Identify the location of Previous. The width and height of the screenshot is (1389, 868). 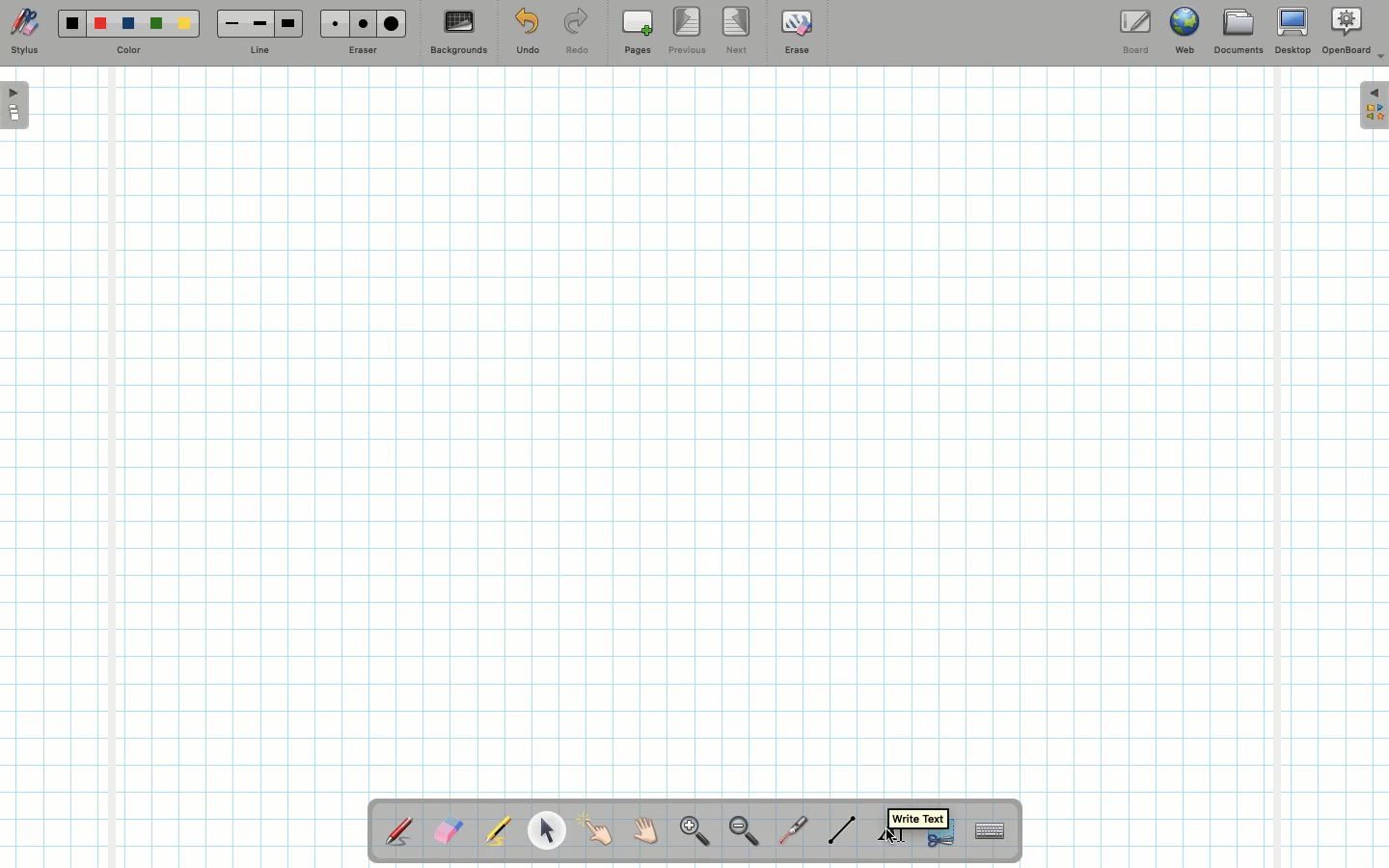
(689, 32).